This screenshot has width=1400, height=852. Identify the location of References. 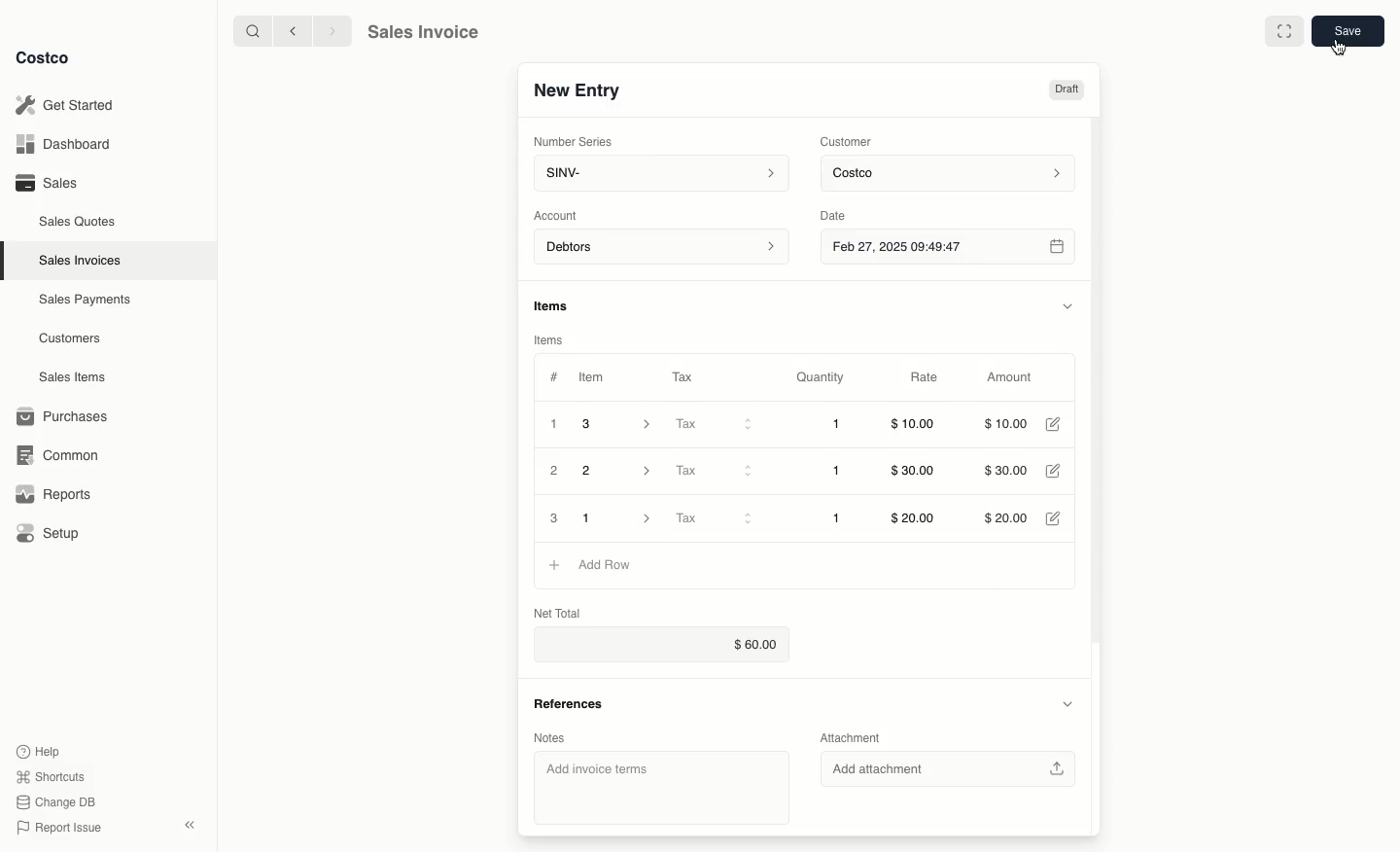
(575, 709).